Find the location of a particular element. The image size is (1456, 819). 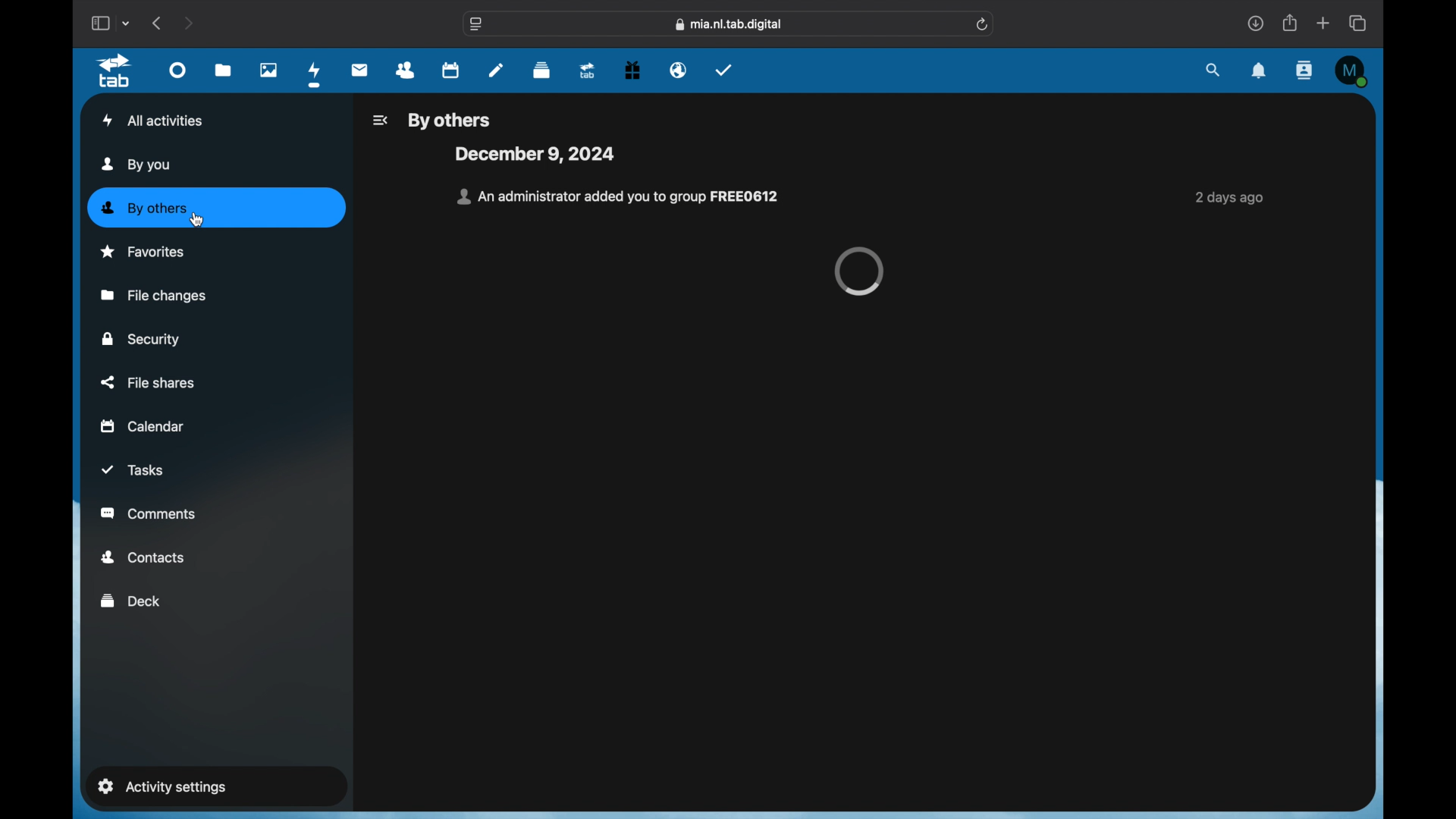

new tab is located at coordinates (1323, 23).